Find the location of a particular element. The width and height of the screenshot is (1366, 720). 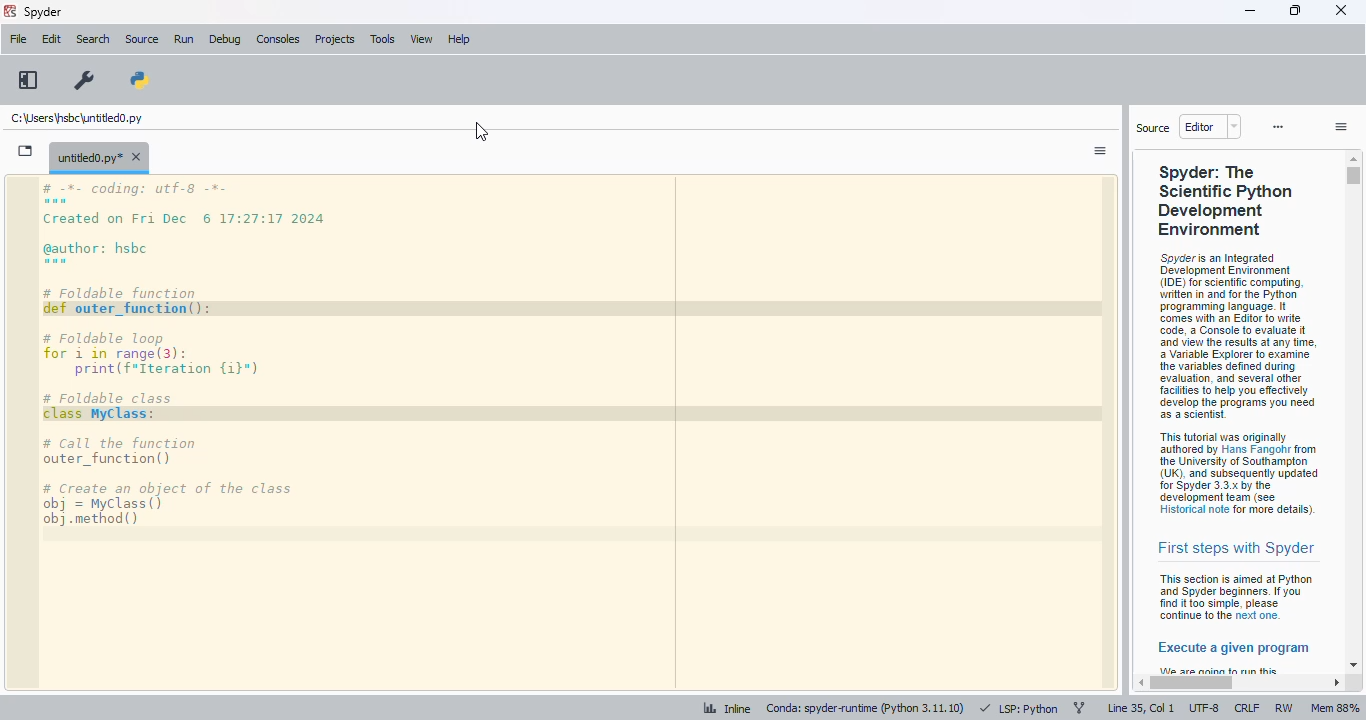

tools is located at coordinates (383, 40).